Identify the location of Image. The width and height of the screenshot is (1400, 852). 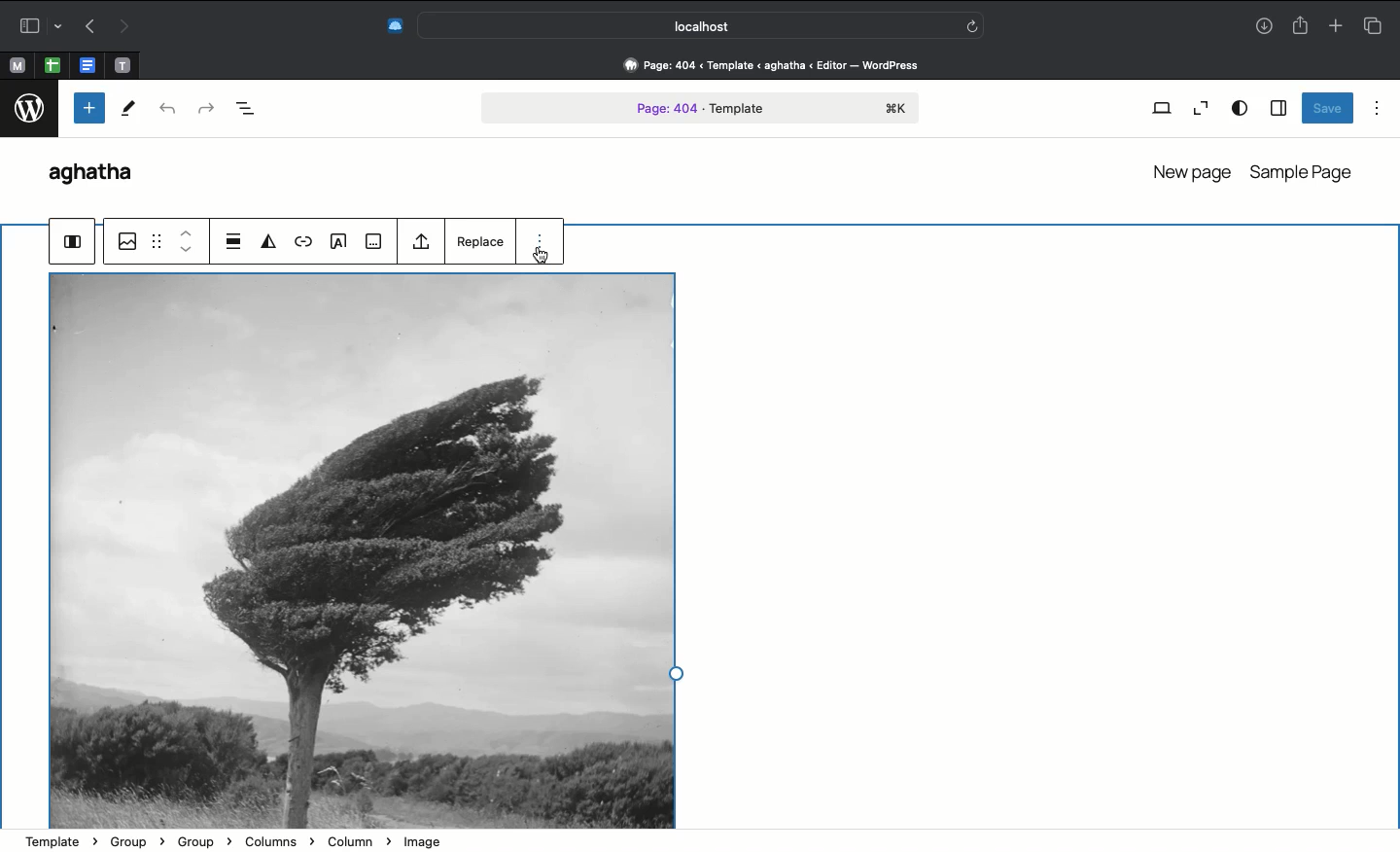
(362, 550).